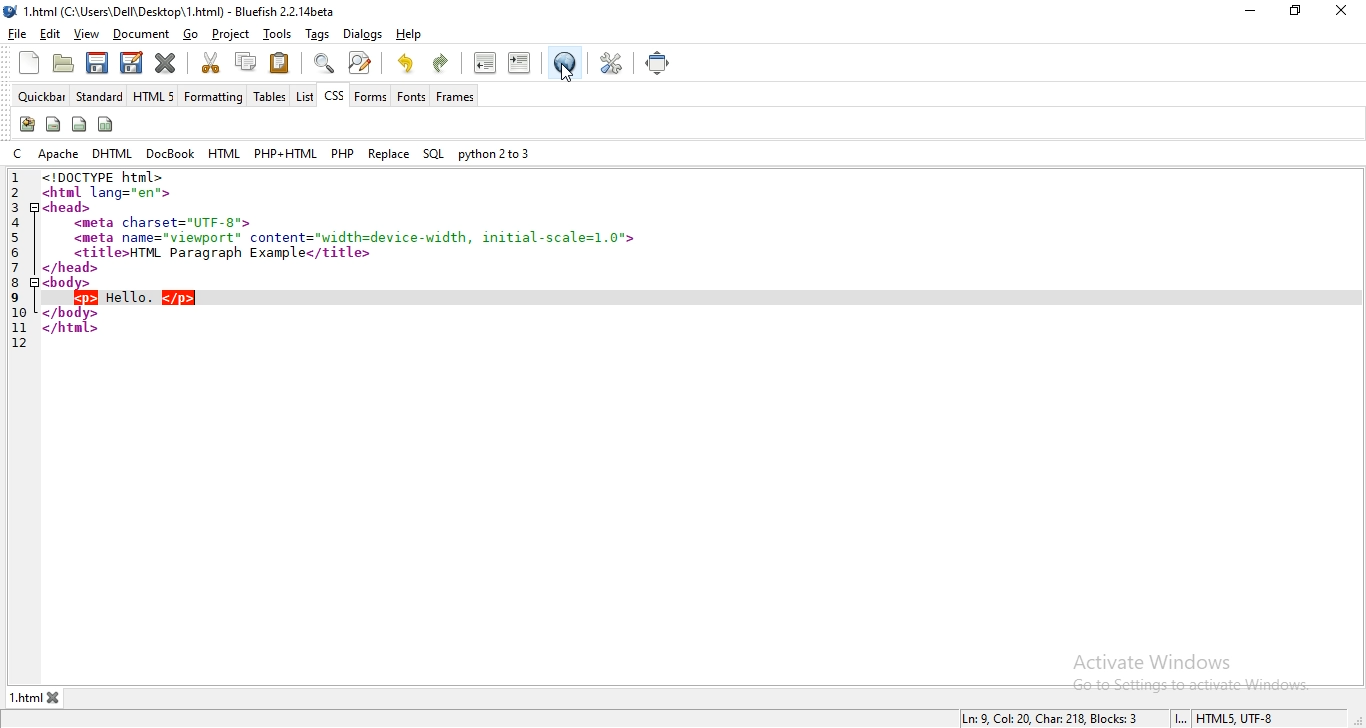 The height and width of the screenshot is (728, 1366). Describe the element at coordinates (270, 95) in the screenshot. I see `tables` at that location.